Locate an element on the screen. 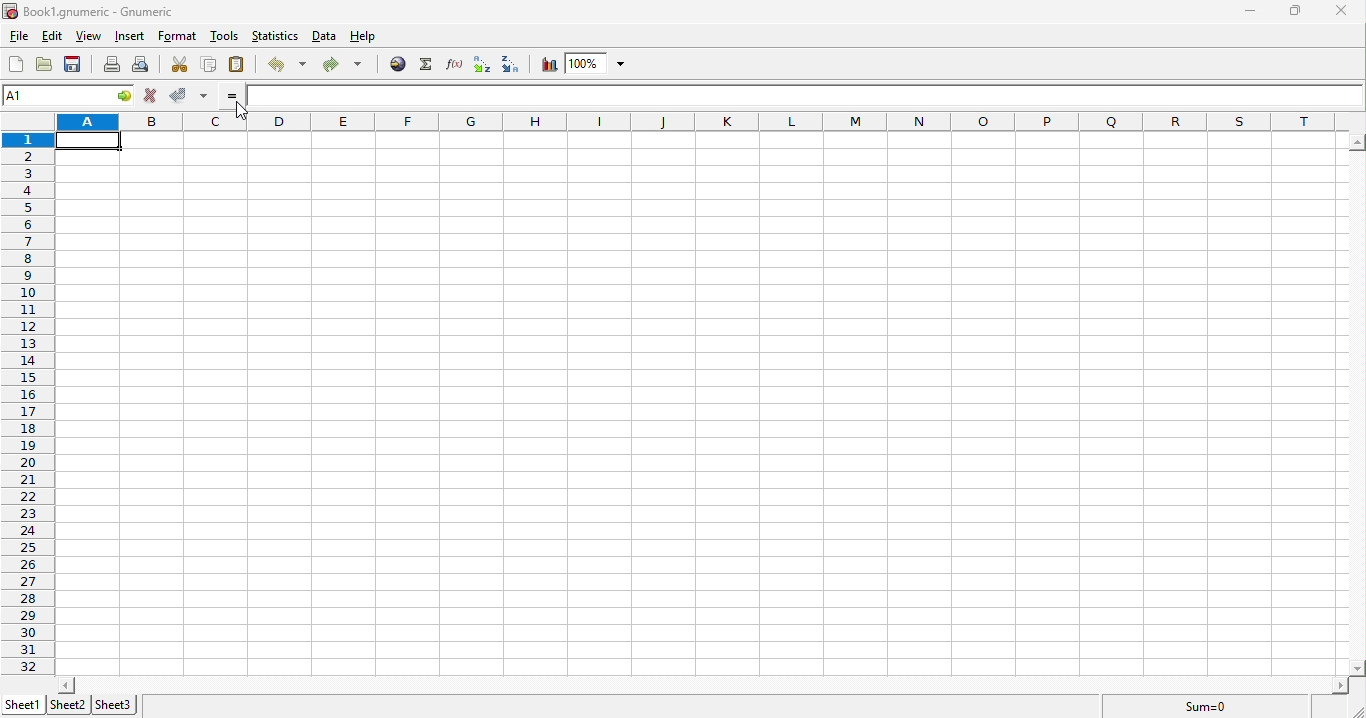 Image resolution: width=1366 pixels, height=718 pixels. open is located at coordinates (45, 65).